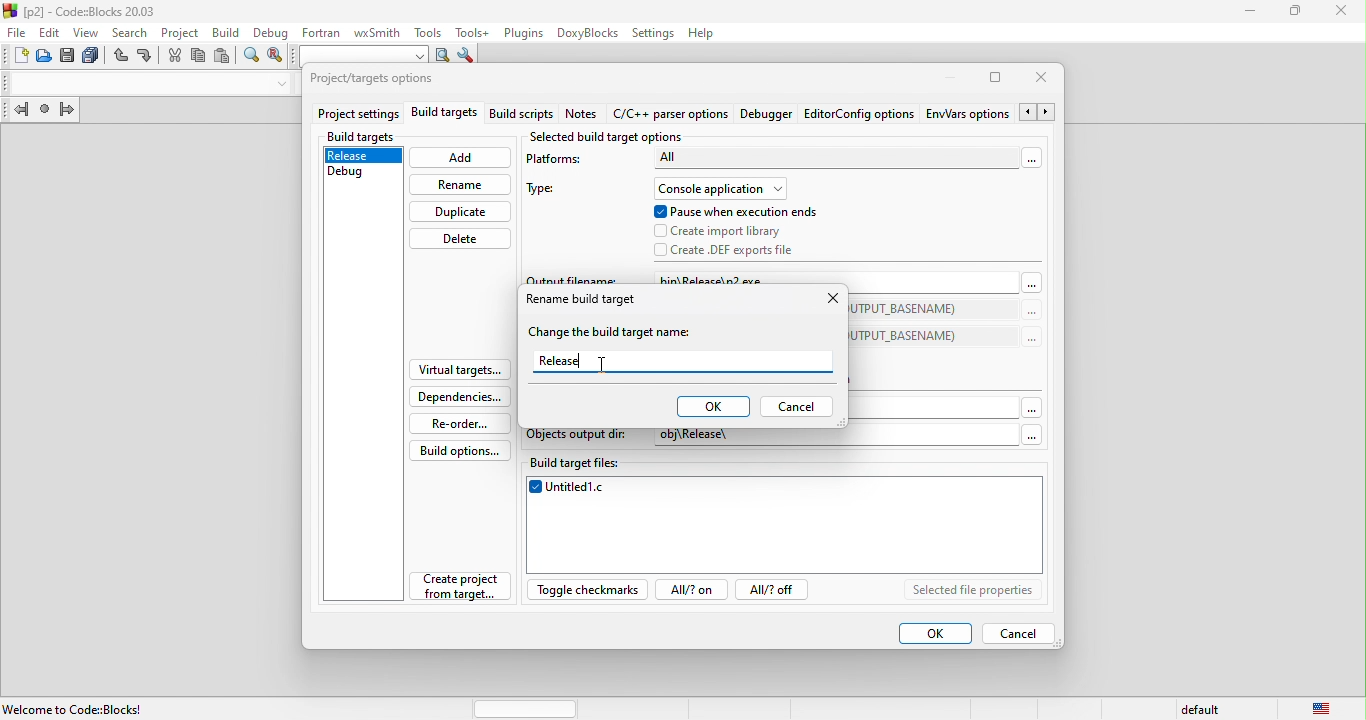 The image size is (1366, 720). I want to click on welcome to code blocks, so click(81, 707).